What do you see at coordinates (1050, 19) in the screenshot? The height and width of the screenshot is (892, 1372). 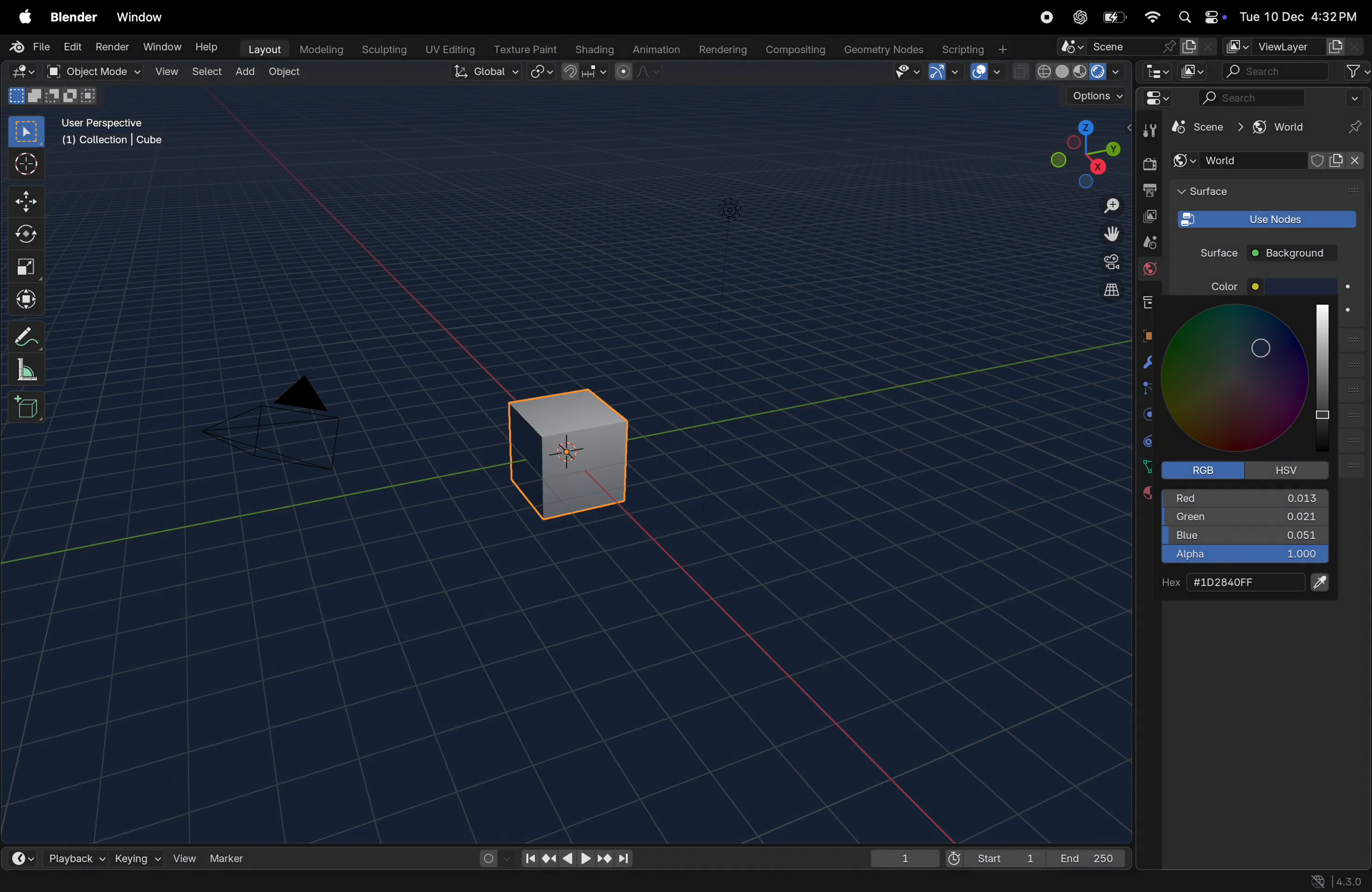 I see `record` at bounding box center [1050, 19].